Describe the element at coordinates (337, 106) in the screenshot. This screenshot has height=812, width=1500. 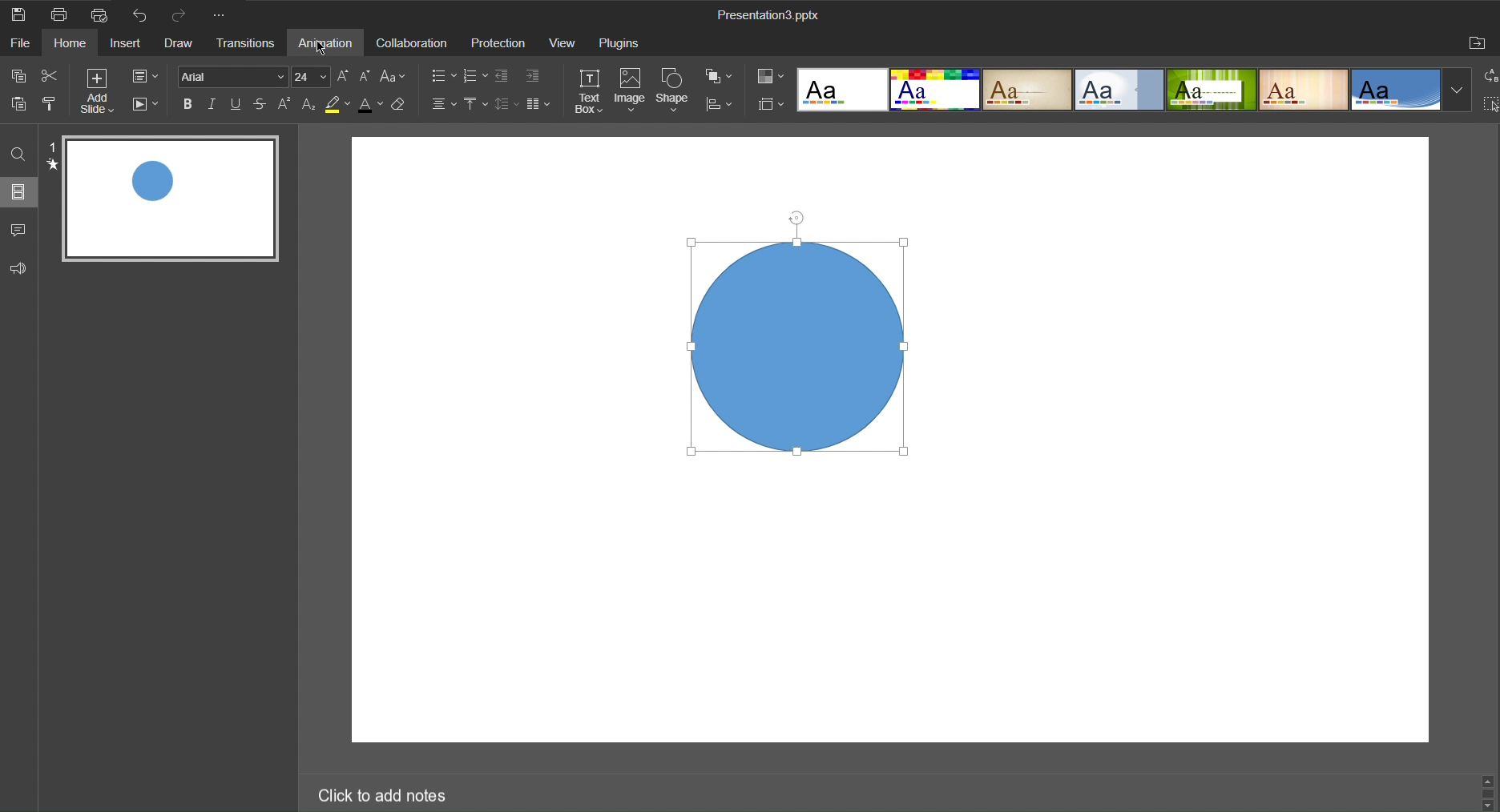
I see `Highlight` at that location.